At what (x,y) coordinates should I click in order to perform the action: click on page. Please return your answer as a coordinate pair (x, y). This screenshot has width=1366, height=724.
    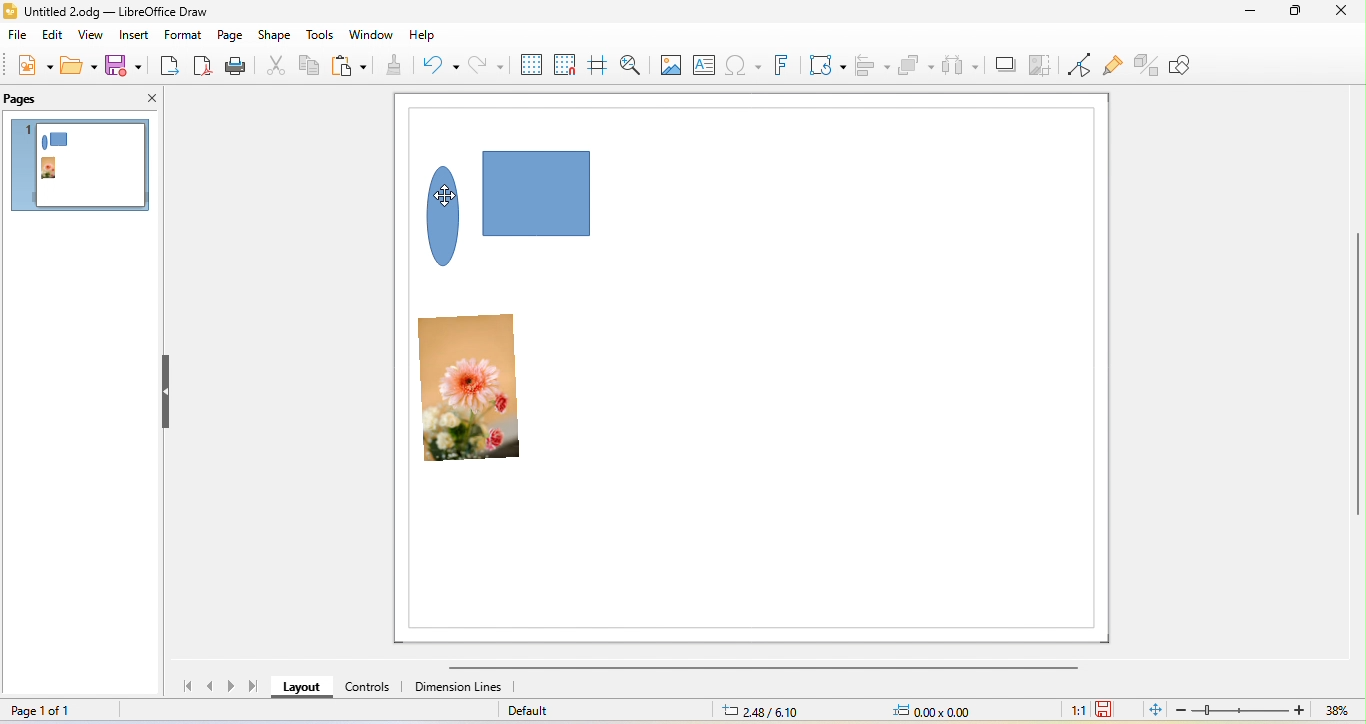
    Looking at the image, I should click on (229, 36).